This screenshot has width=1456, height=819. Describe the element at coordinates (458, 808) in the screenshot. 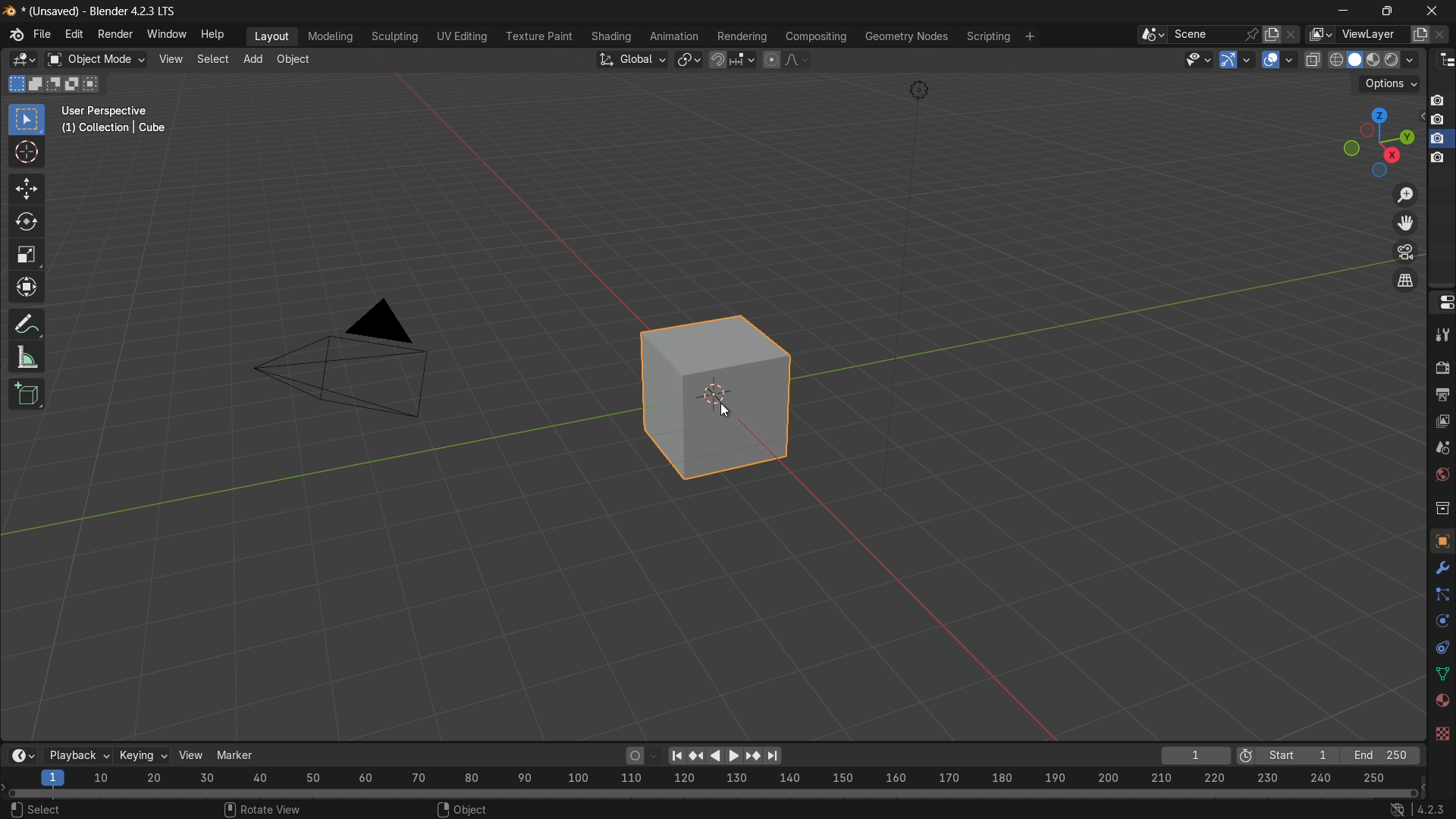

I see `Object` at that location.